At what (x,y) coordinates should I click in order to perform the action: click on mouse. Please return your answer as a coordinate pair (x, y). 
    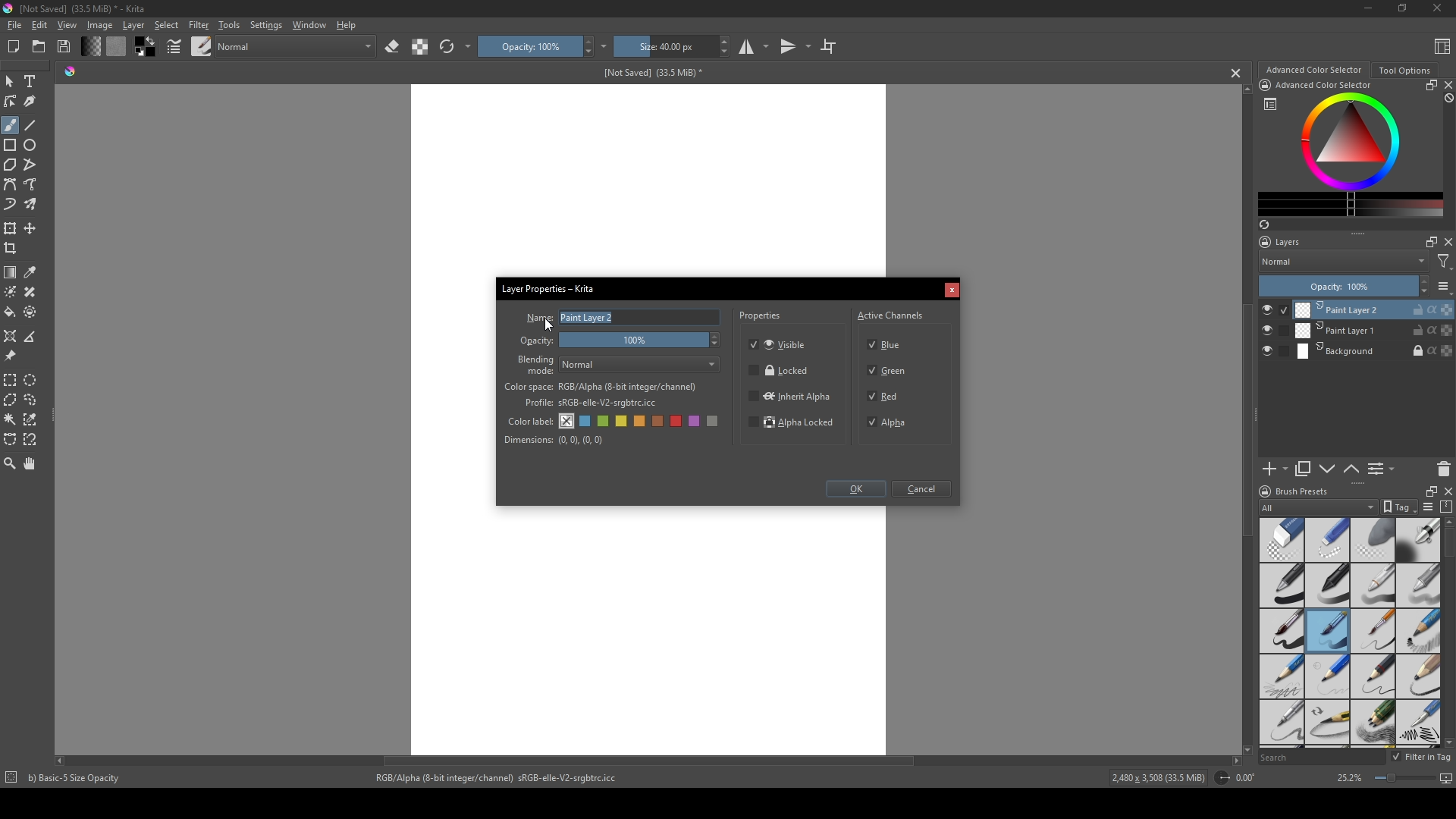
    Looking at the image, I should click on (9, 82).